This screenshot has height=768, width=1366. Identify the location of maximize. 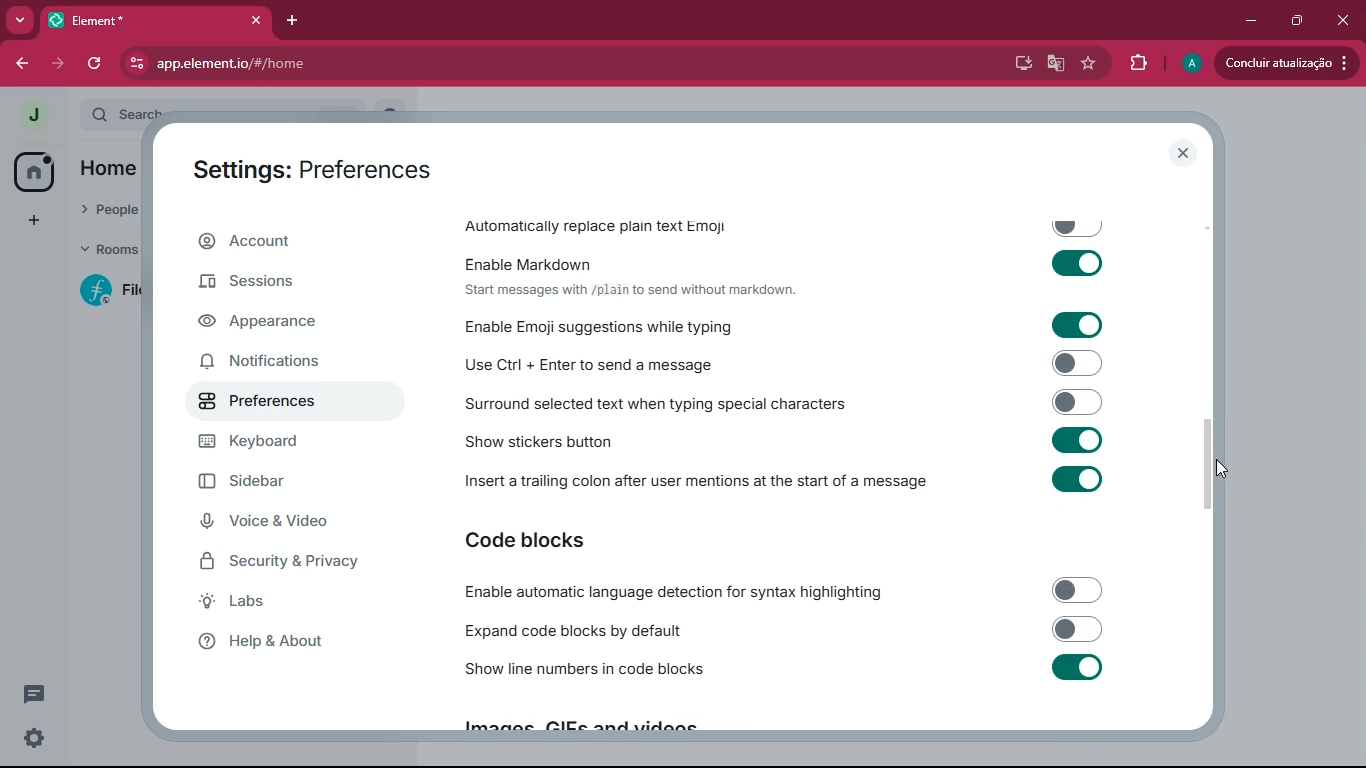
(1293, 22).